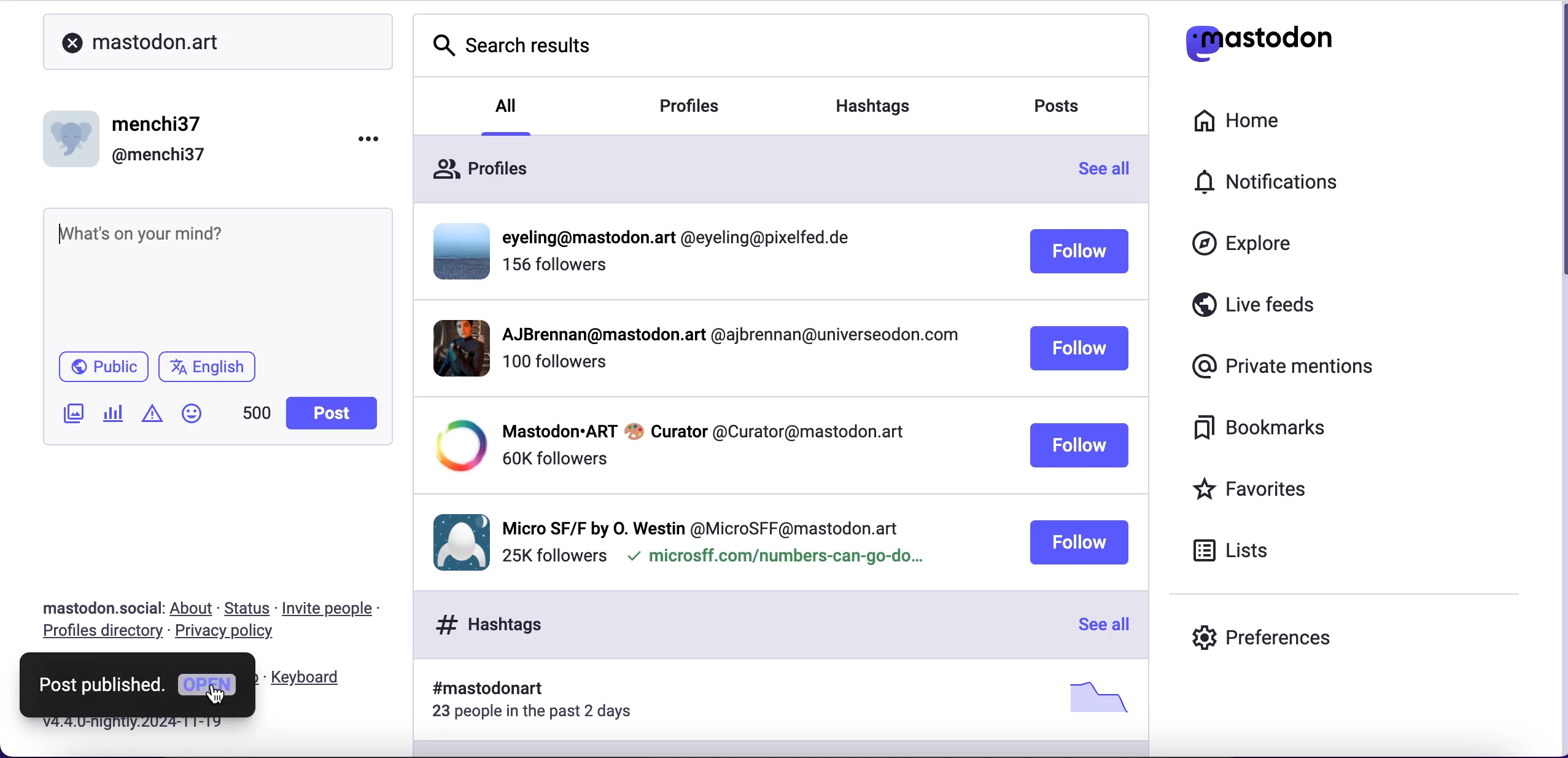 Image resolution: width=1568 pixels, height=758 pixels. Describe the element at coordinates (1257, 427) in the screenshot. I see `bookmarks` at that location.